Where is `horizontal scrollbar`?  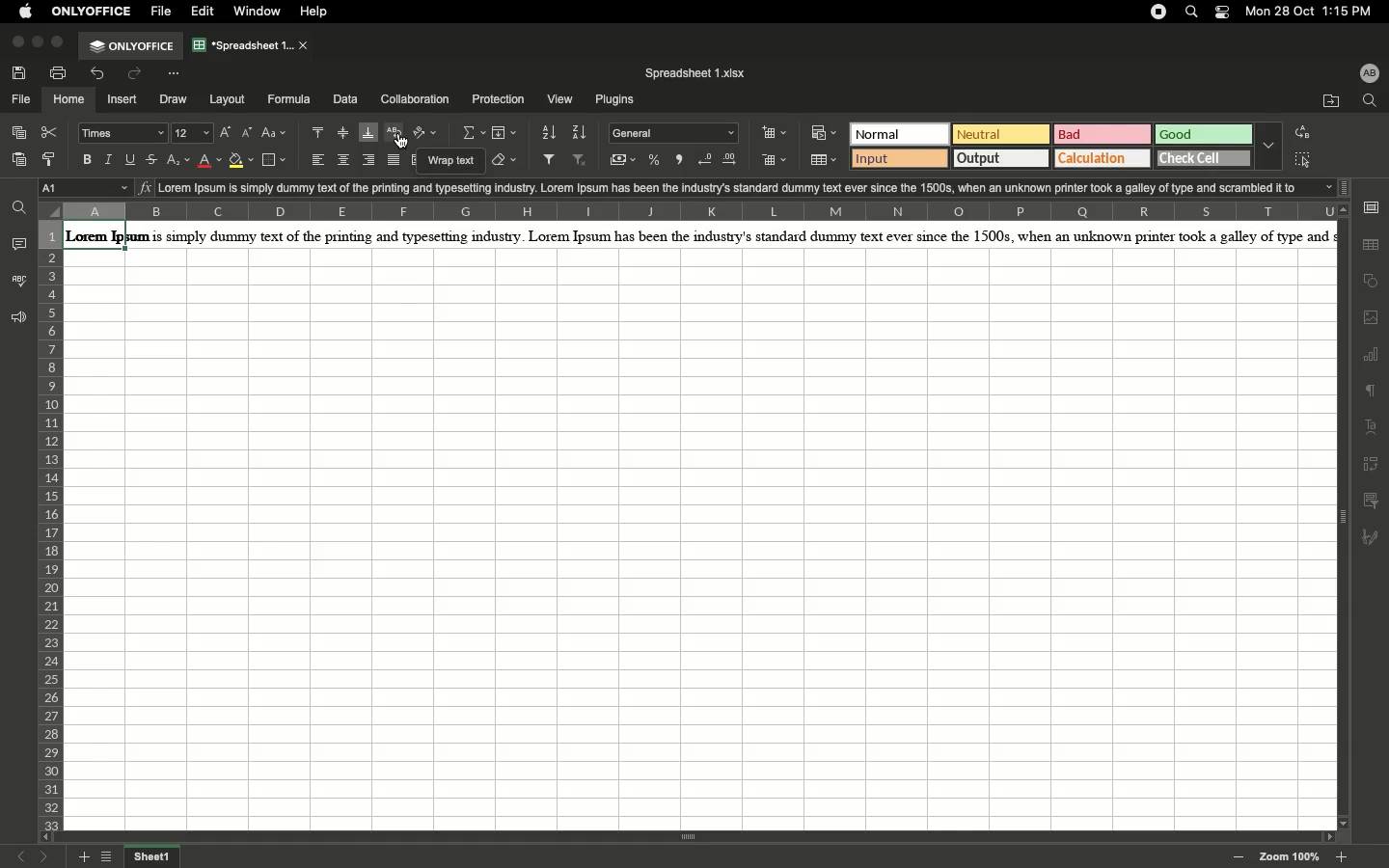
horizontal scrollbar is located at coordinates (694, 838).